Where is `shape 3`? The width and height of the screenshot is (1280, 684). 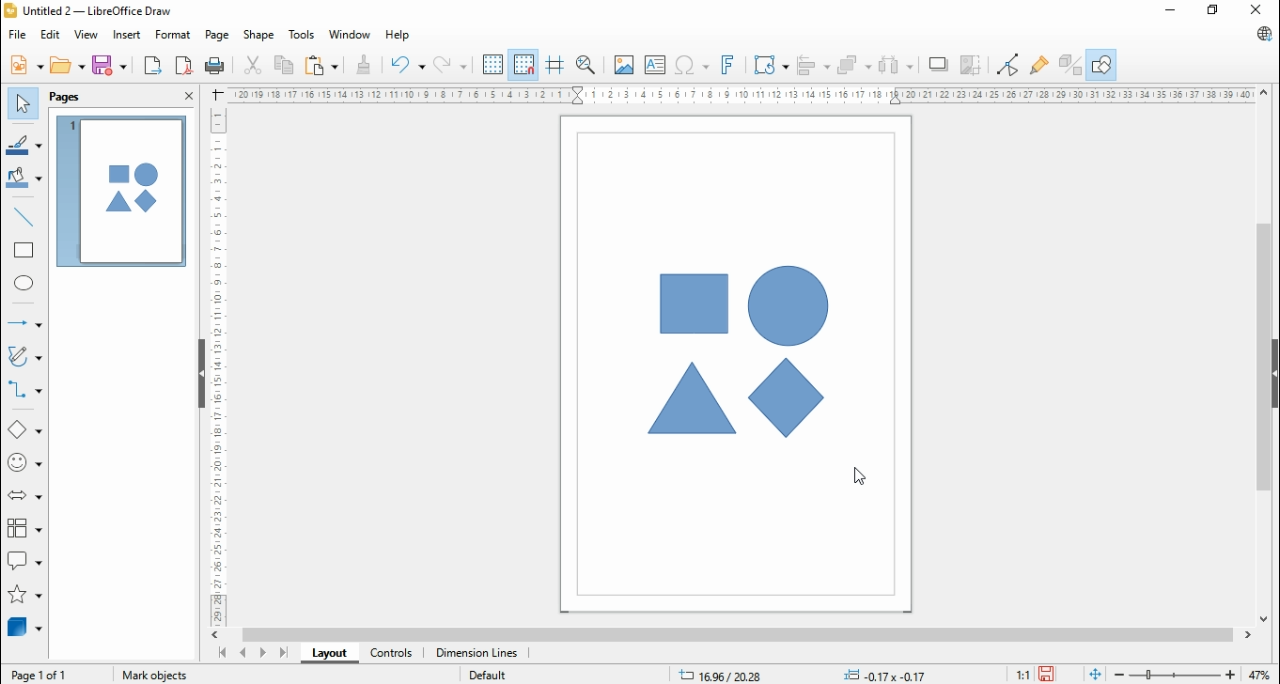
shape 3 is located at coordinates (787, 307).